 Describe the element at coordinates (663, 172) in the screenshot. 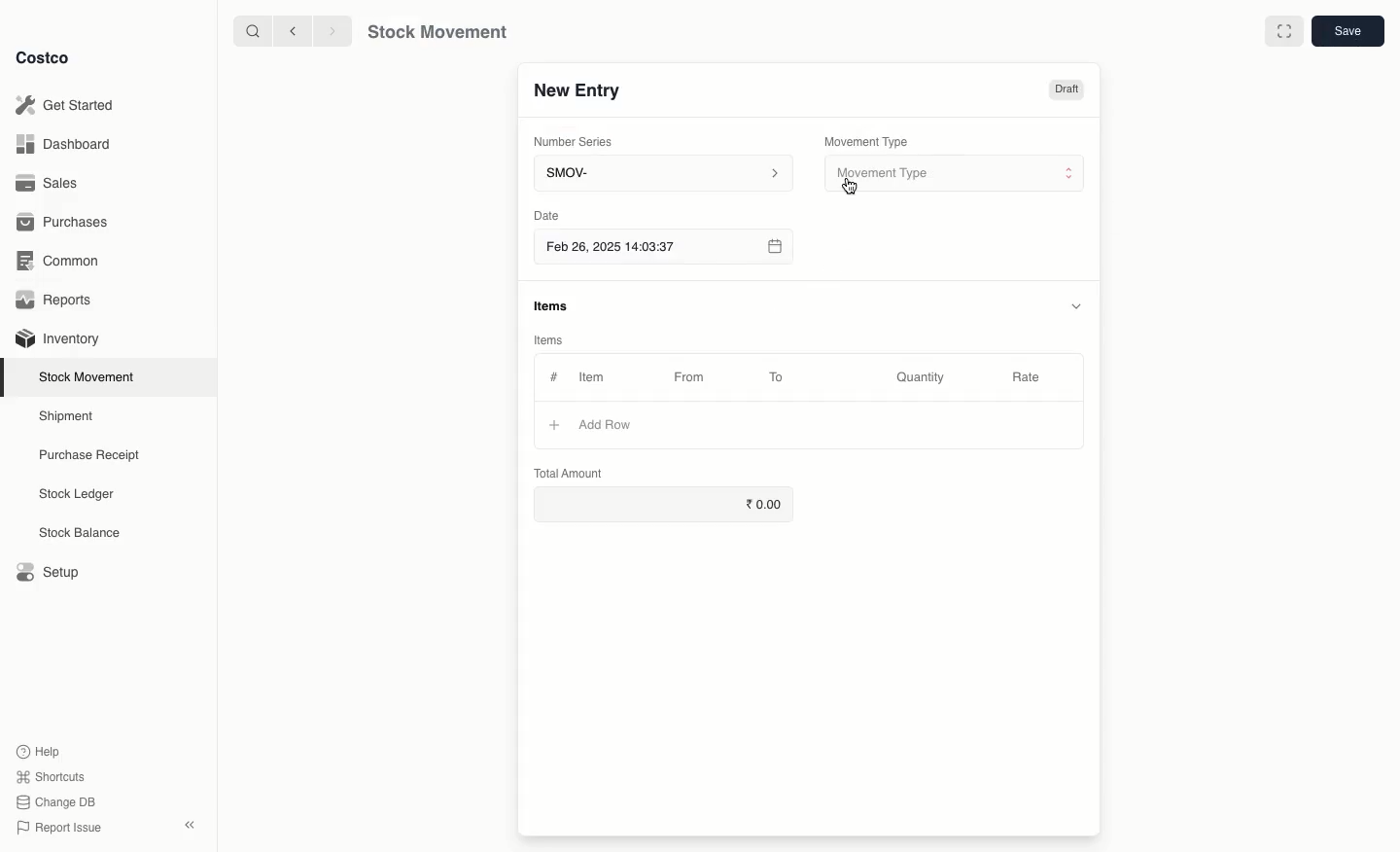

I see `SMOV-` at that location.